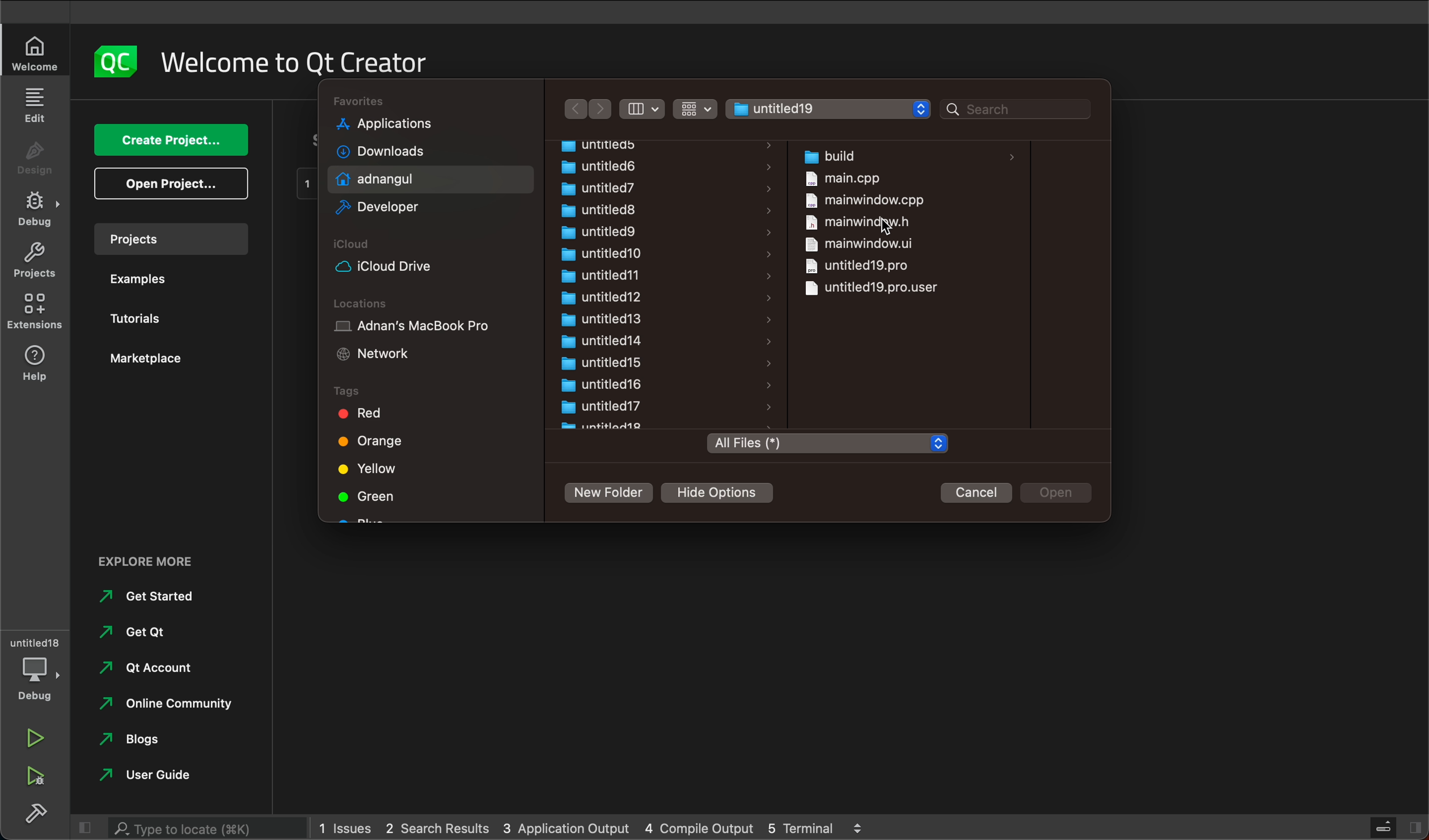 Image resolution: width=1429 pixels, height=840 pixels. Describe the element at coordinates (374, 442) in the screenshot. I see `orange` at that location.